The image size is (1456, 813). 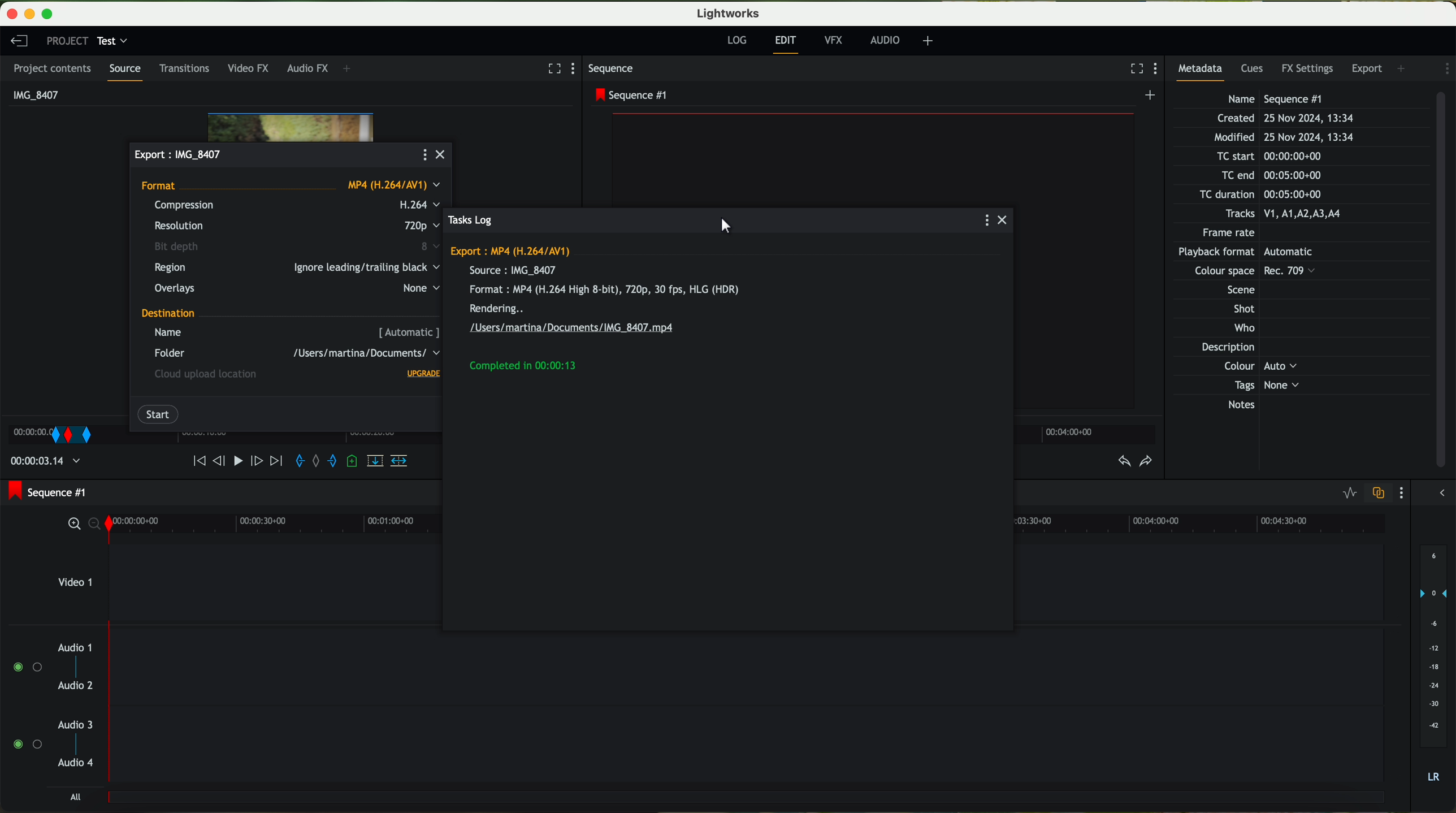 I want to click on export MP4, so click(x=515, y=252).